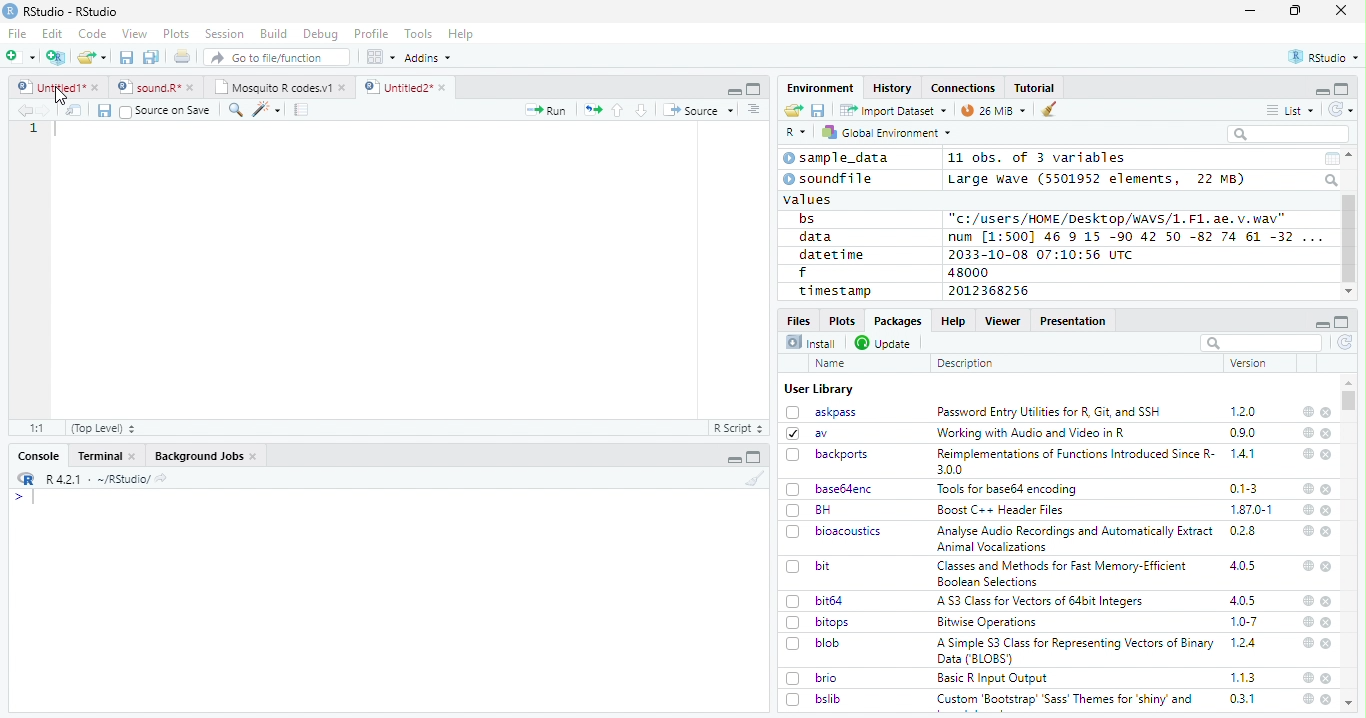 The image size is (1366, 718). What do you see at coordinates (1243, 600) in the screenshot?
I see `4.0.5` at bounding box center [1243, 600].